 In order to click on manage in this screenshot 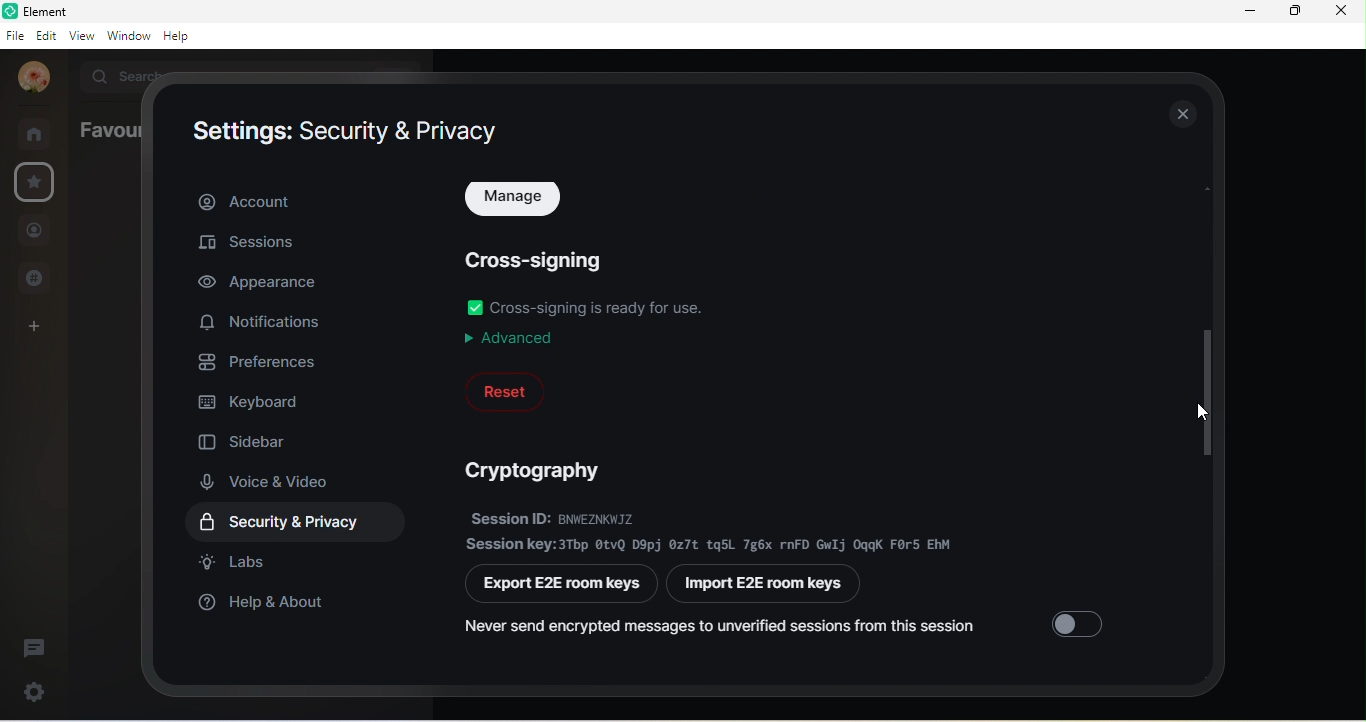, I will do `click(516, 201)`.